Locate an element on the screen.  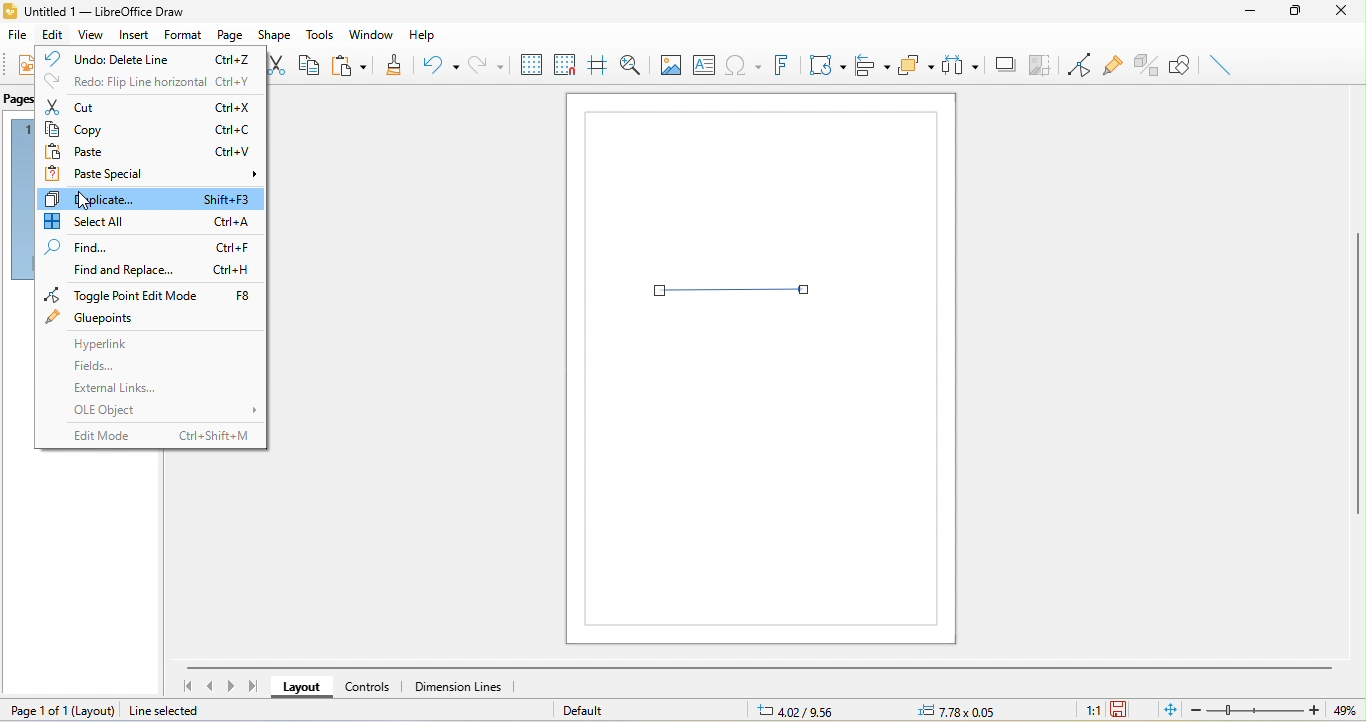
image is located at coordinates (669, 63).